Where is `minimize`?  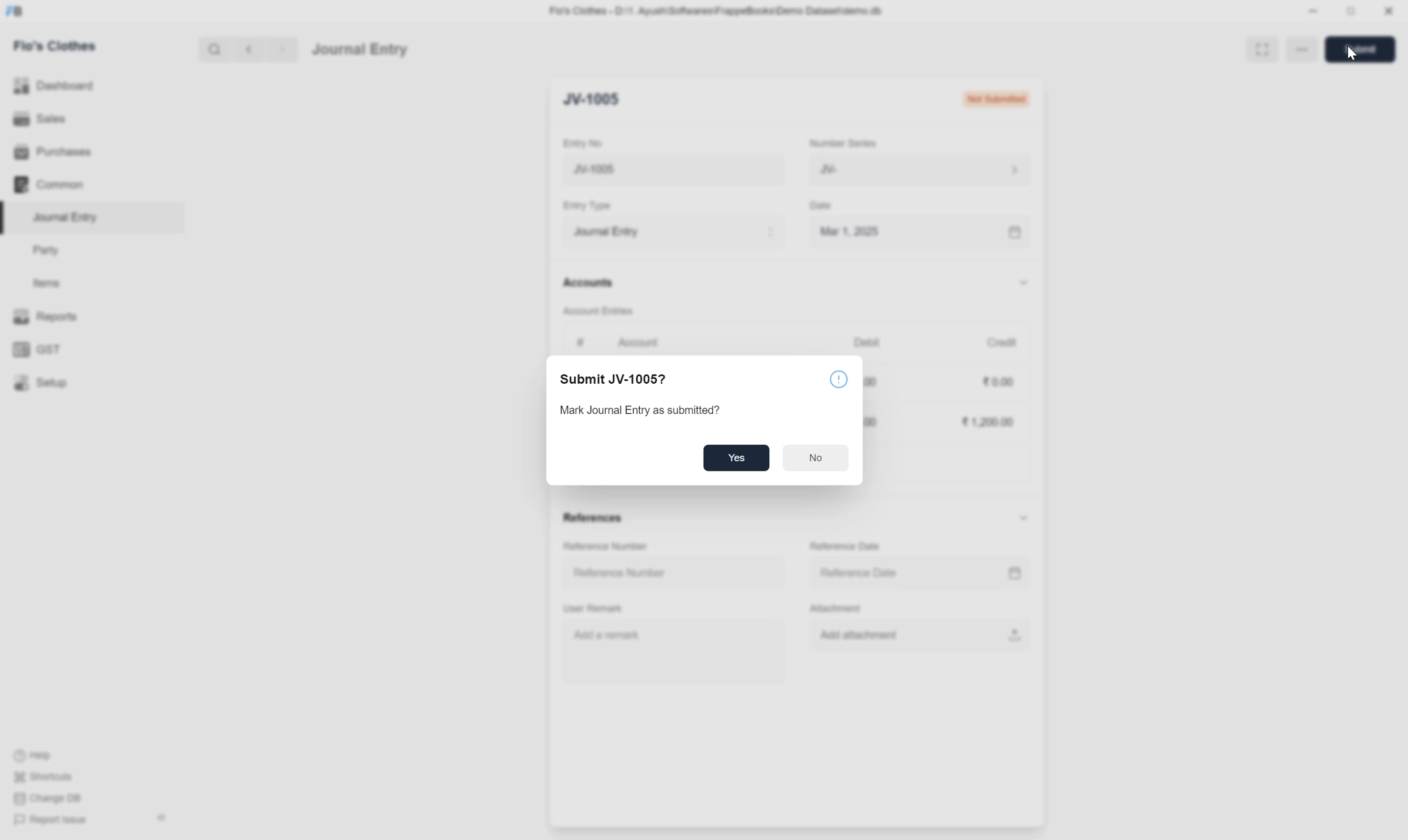 minimize is located at coordinates (1313, 12).